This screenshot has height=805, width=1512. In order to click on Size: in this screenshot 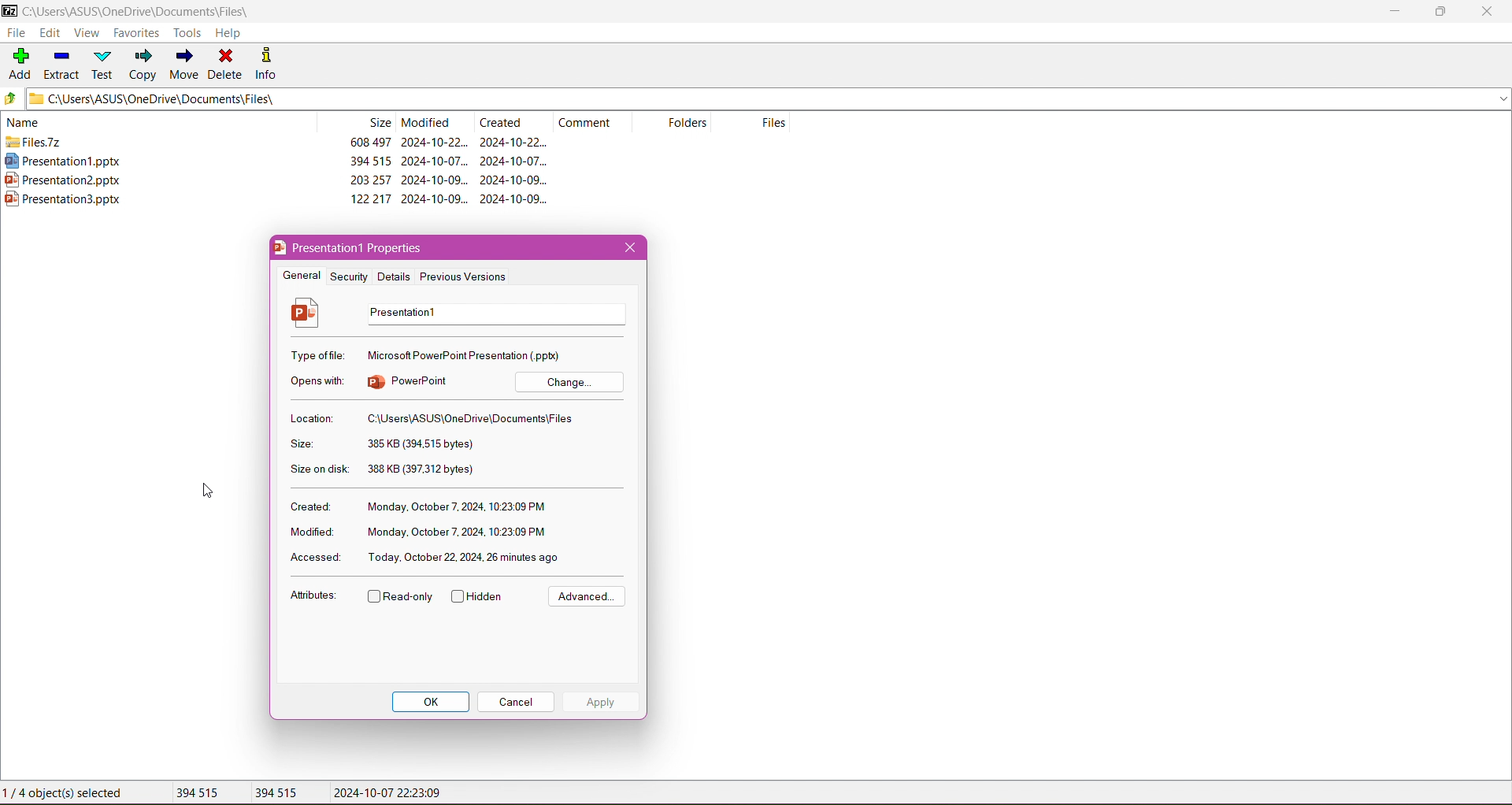, I will do `click(309, 444)`.